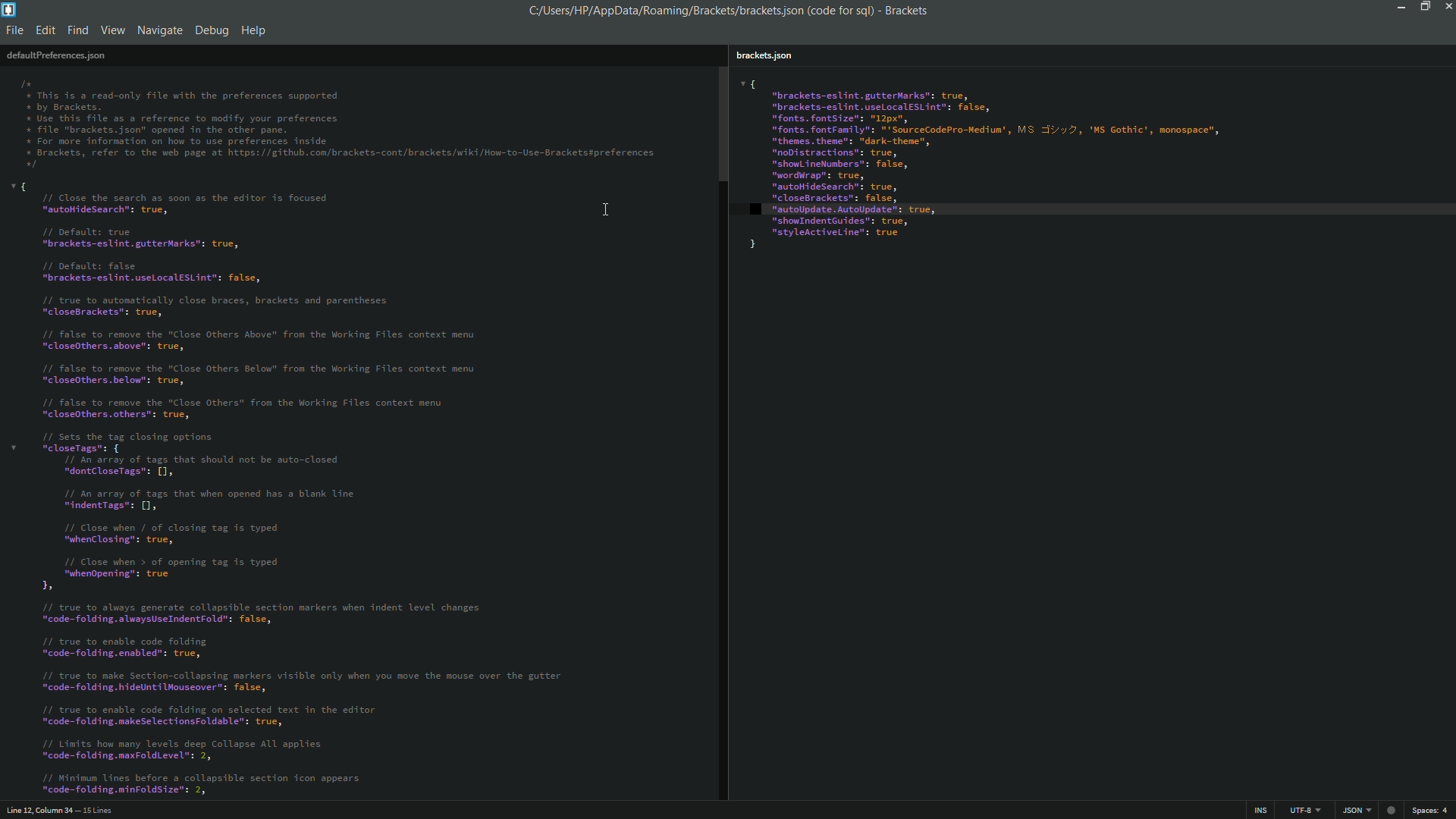 Image resolution: width=1456 pixels, height=819 pixels. Describe the element at coordinates (769, 53) in the screenshot. I see `brackets.json` at that location.